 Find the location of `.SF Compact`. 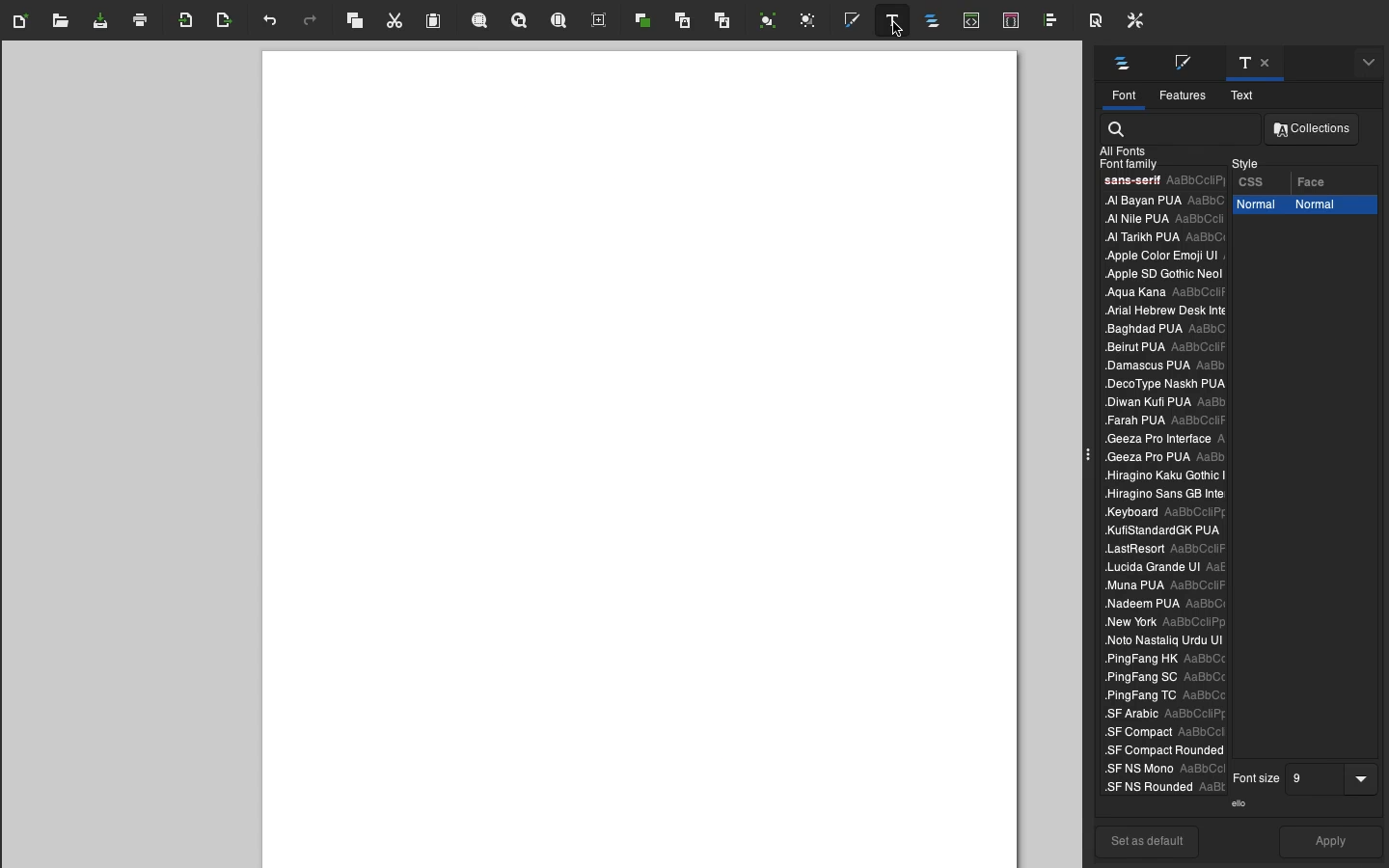

.SF Compact is located at coordinates (1158, 732).